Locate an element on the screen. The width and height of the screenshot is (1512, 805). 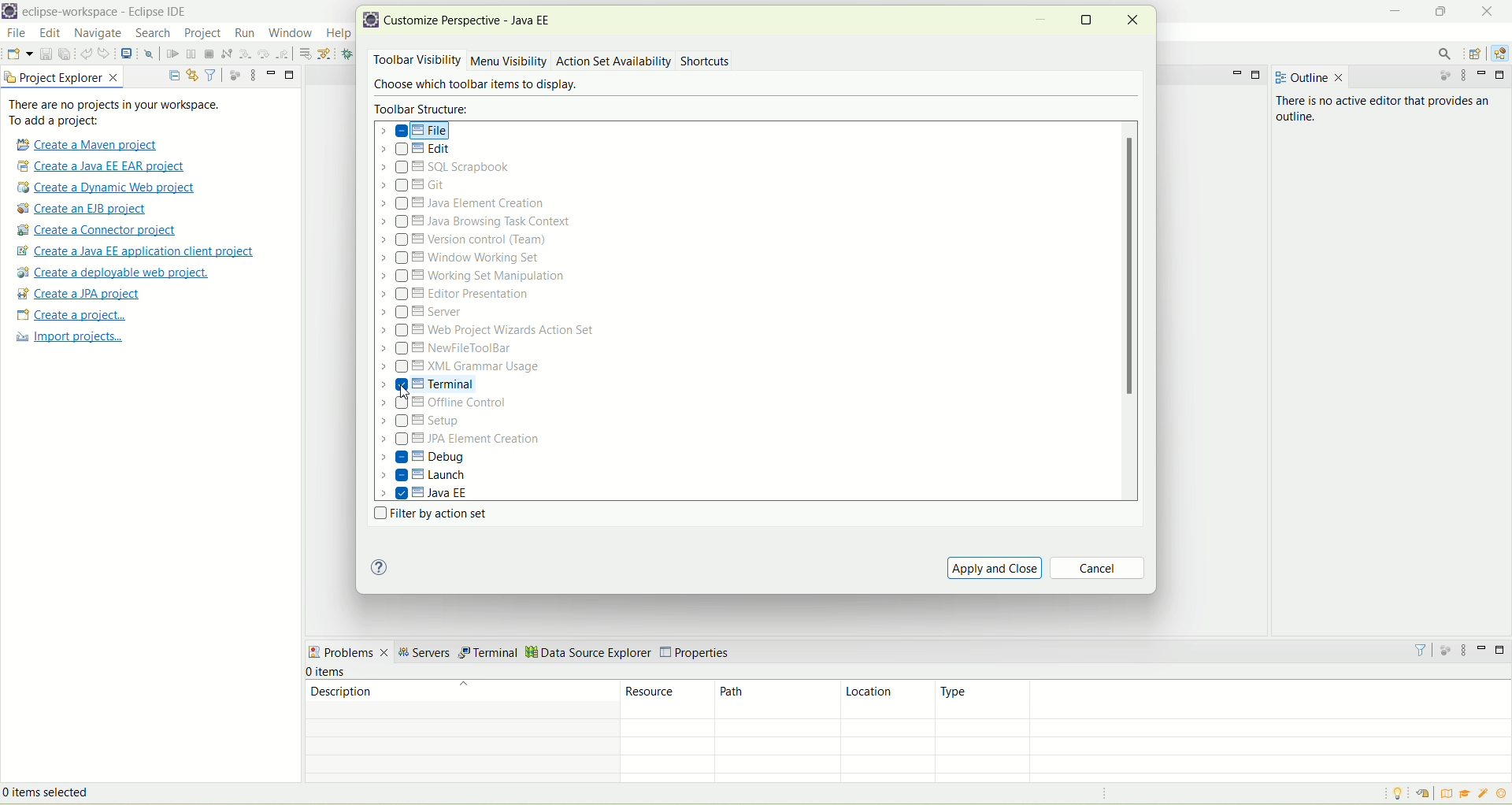
redo is located at coordinates (105, 54).